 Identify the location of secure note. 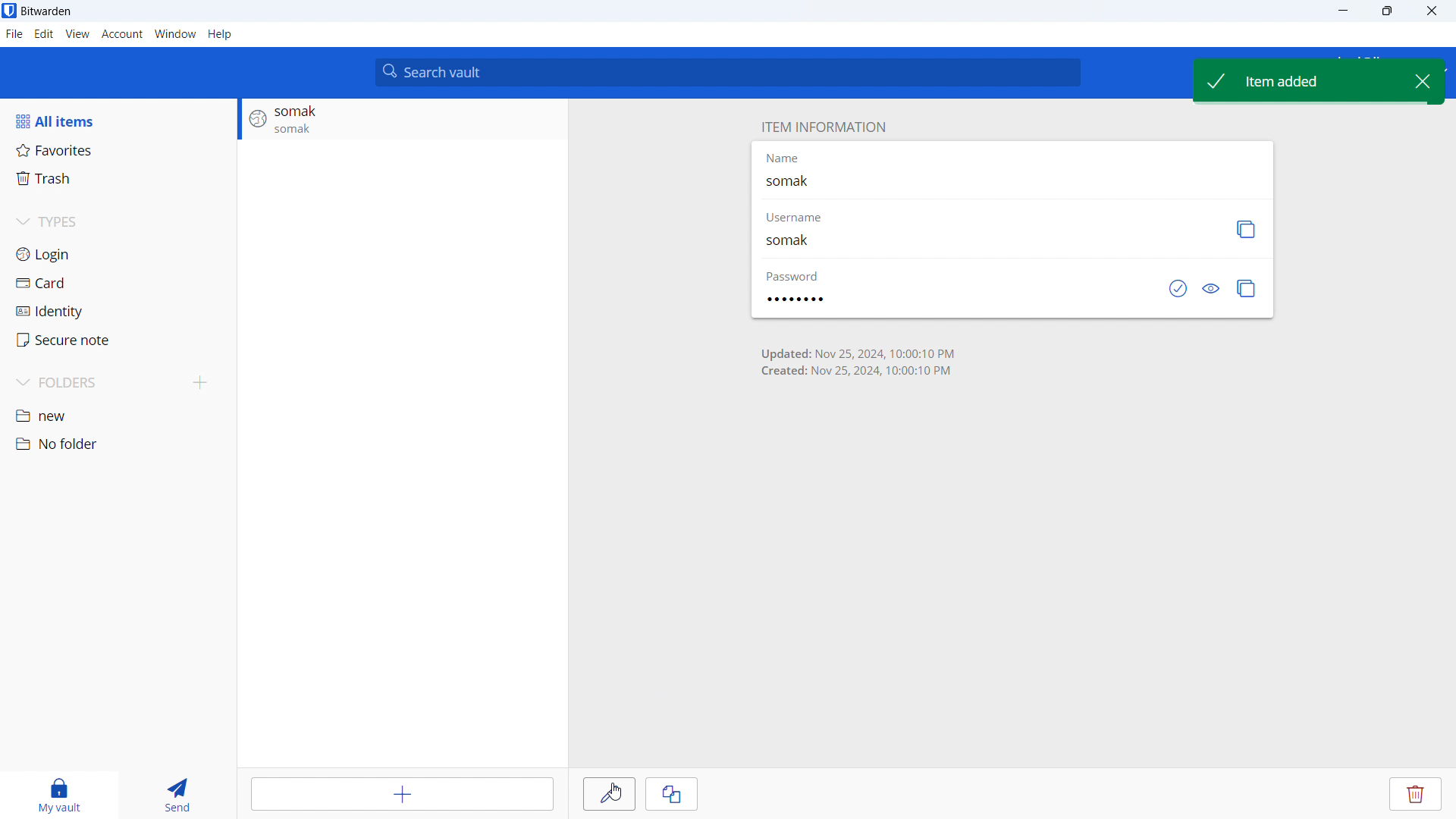
(118, 340).